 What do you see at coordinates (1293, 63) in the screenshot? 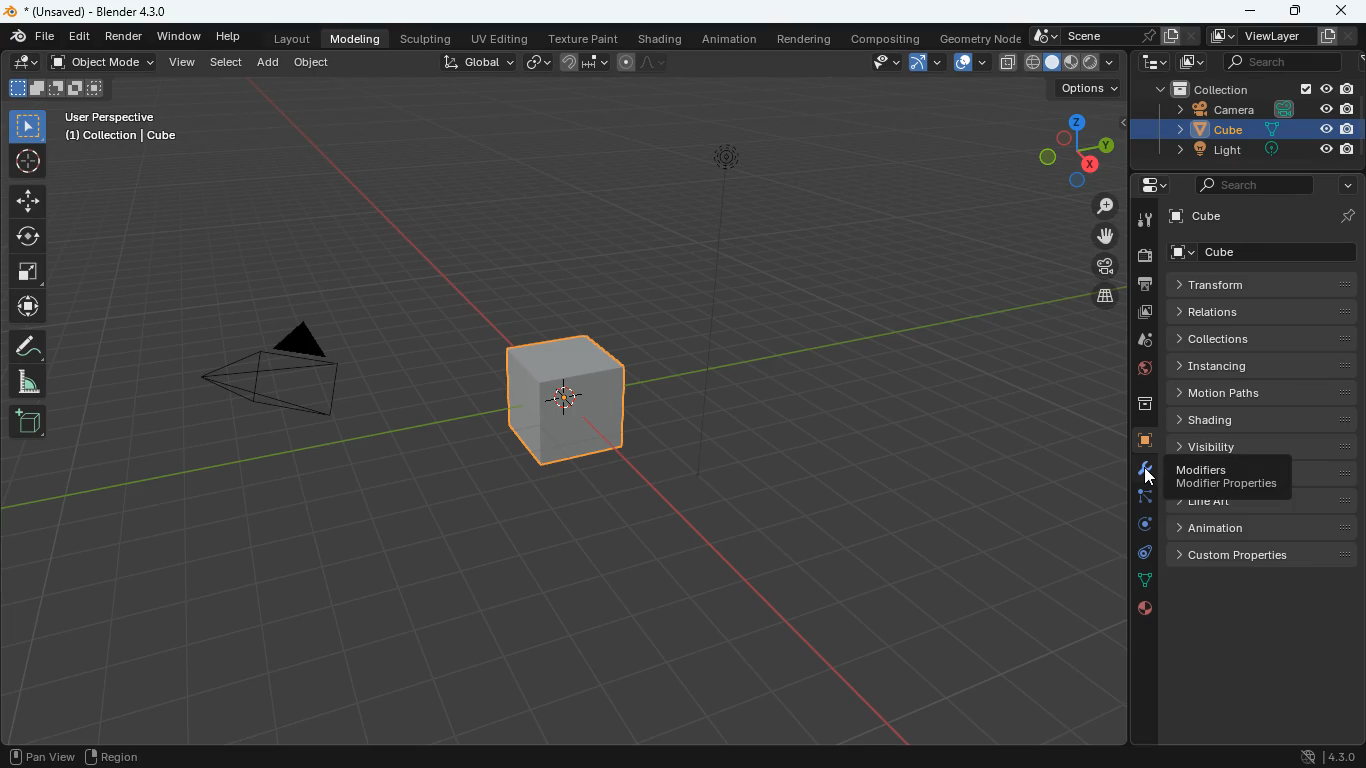
I see `search` at bounding box center [1293, 63].